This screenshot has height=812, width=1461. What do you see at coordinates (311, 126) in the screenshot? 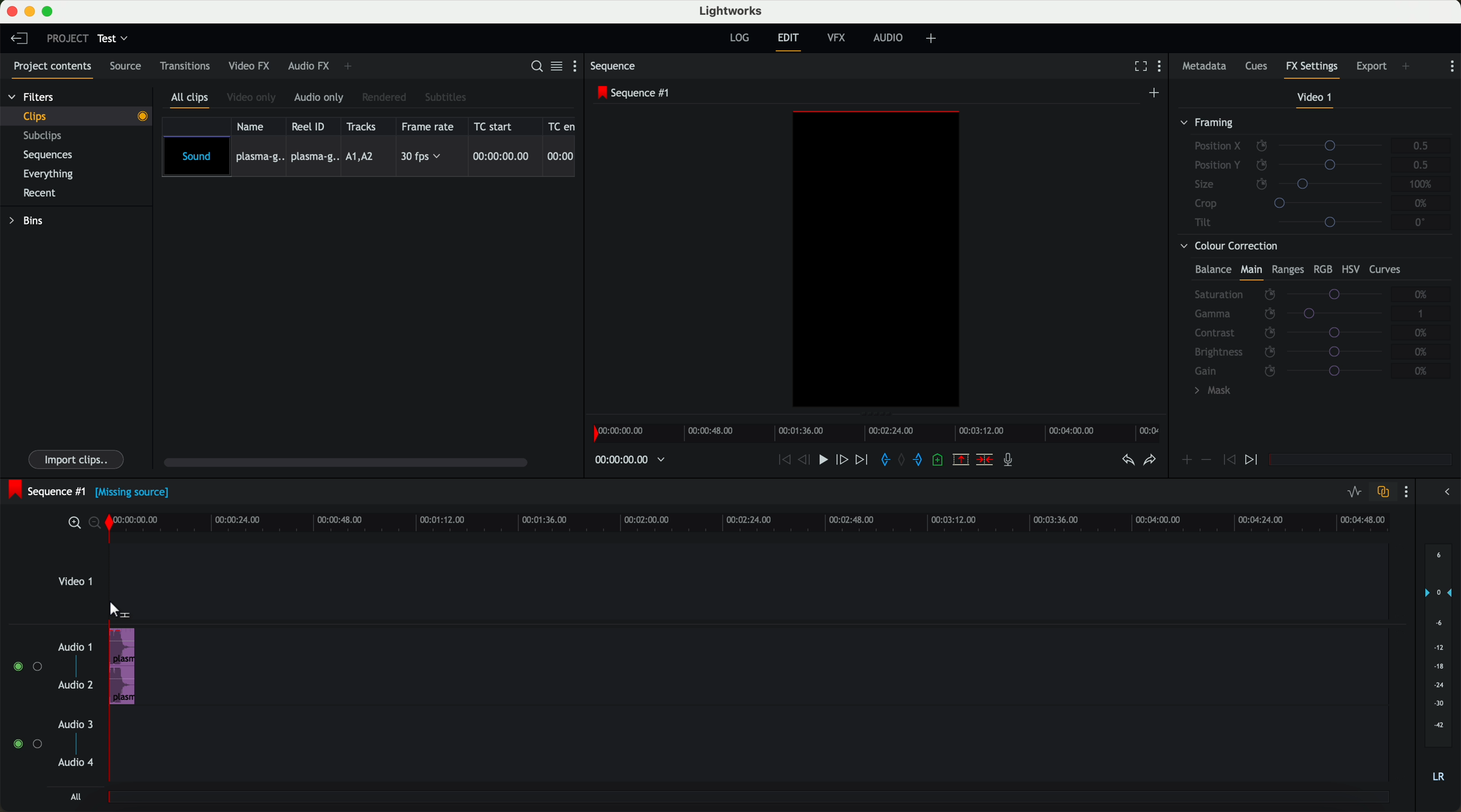
I see `reel ID` at bounding box center [311, 126].